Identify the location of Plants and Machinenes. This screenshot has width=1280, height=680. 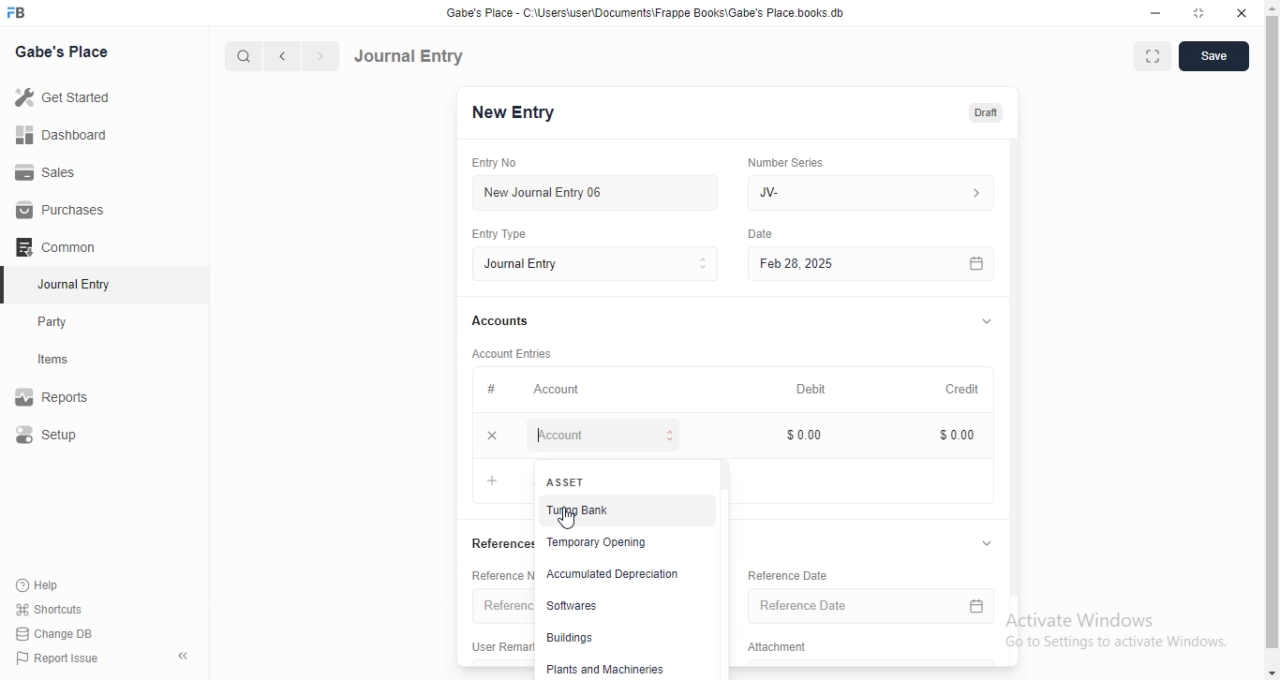
(622, 669).